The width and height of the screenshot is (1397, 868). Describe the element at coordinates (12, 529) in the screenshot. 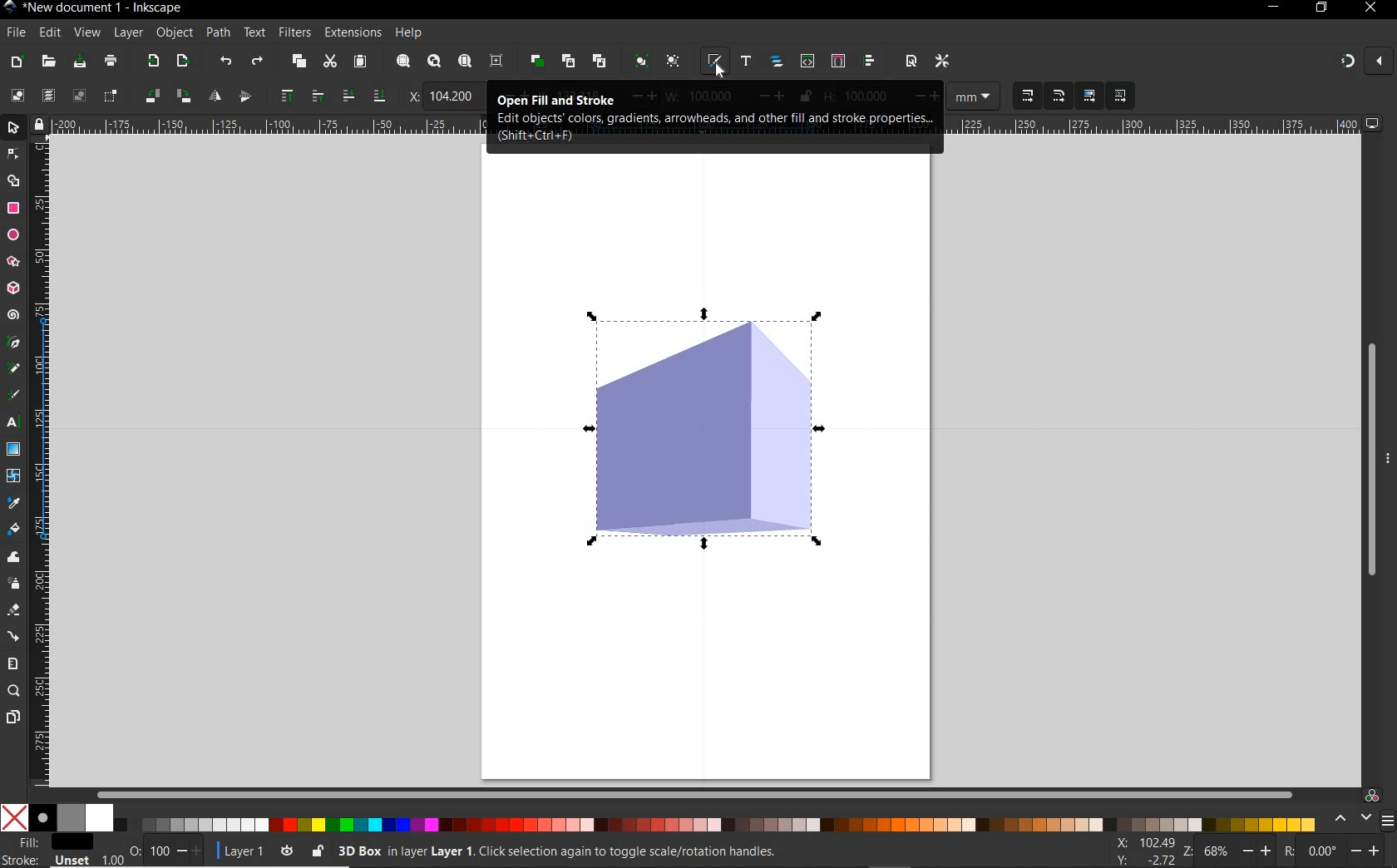

I see `PAINT BUCKET TOOL` at that location.